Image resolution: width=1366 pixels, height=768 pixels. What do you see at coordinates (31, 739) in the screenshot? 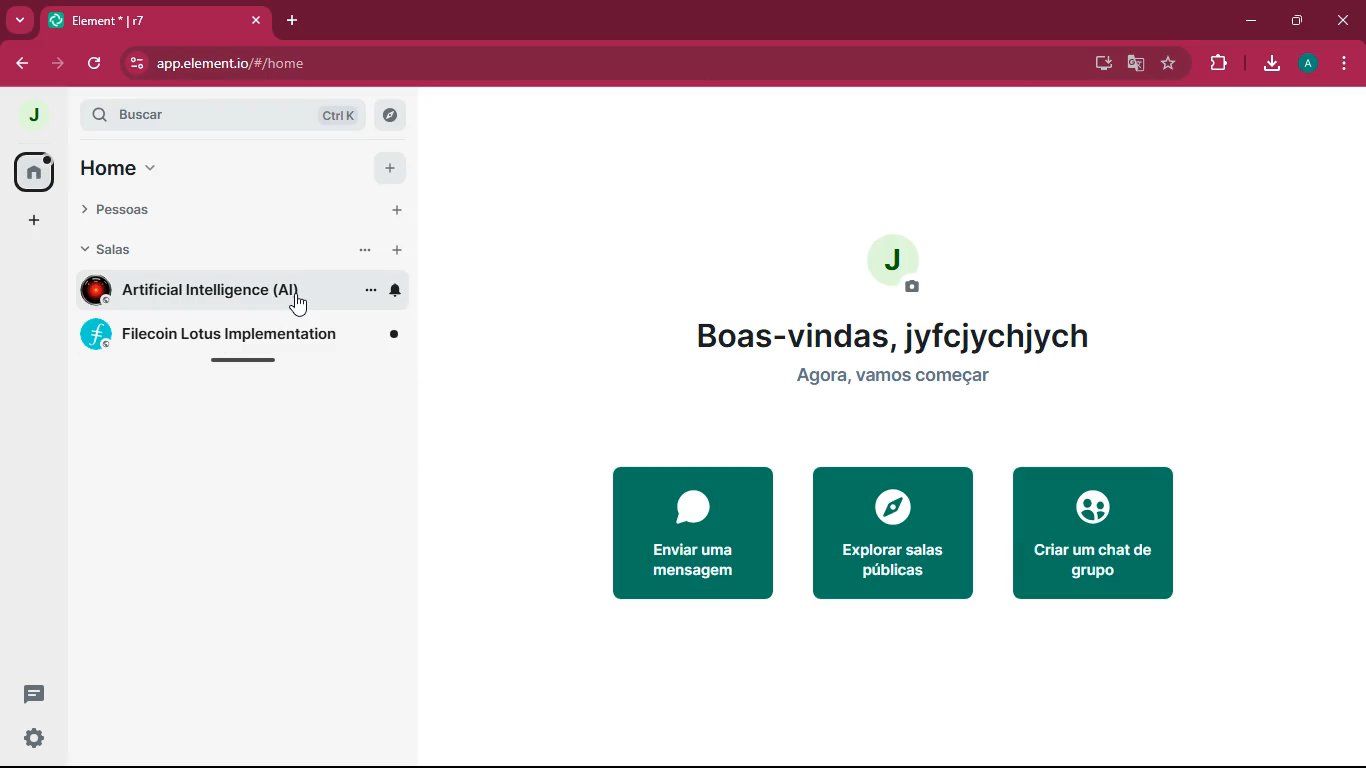
I see `settings` at bounding box center [31, 739].